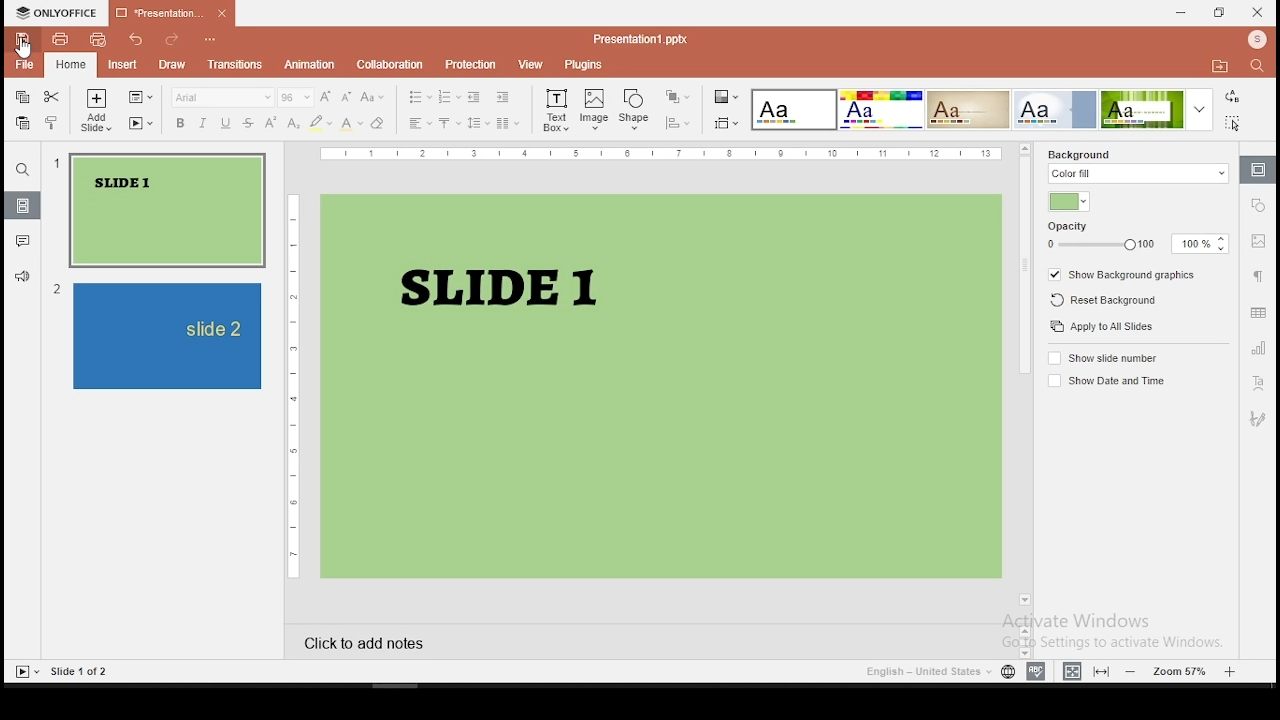 This screenshot has height=720, width=1280. What do you see at coordinates (140, 97) in the screenshot?
I see `change slide layout` at bounding box center [140, 97].